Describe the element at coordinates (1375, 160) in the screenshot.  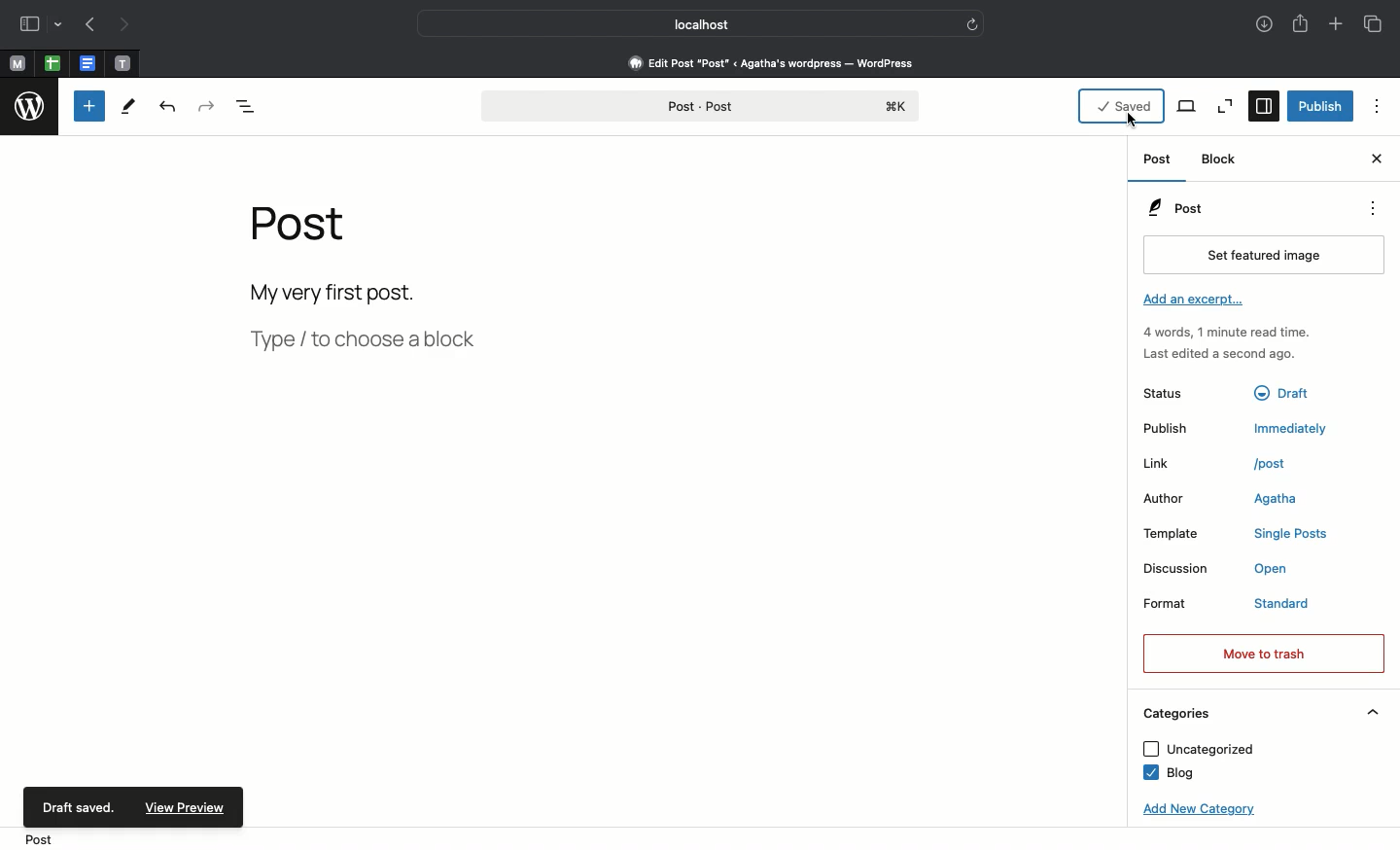
I see `Close` at that location.